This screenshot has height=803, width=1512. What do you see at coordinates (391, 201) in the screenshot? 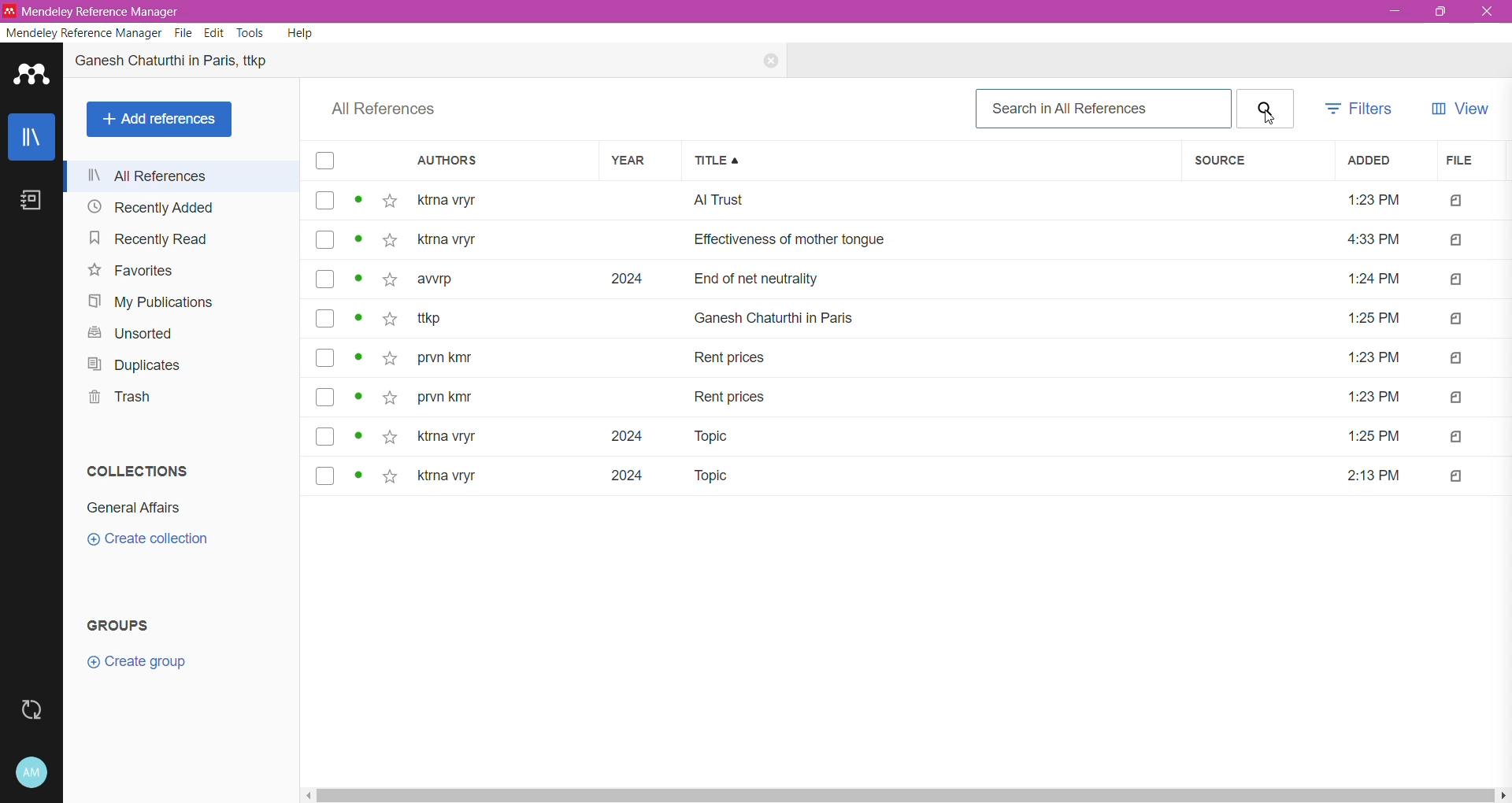
I see `add to favorites` at bounding box center [391, 201].